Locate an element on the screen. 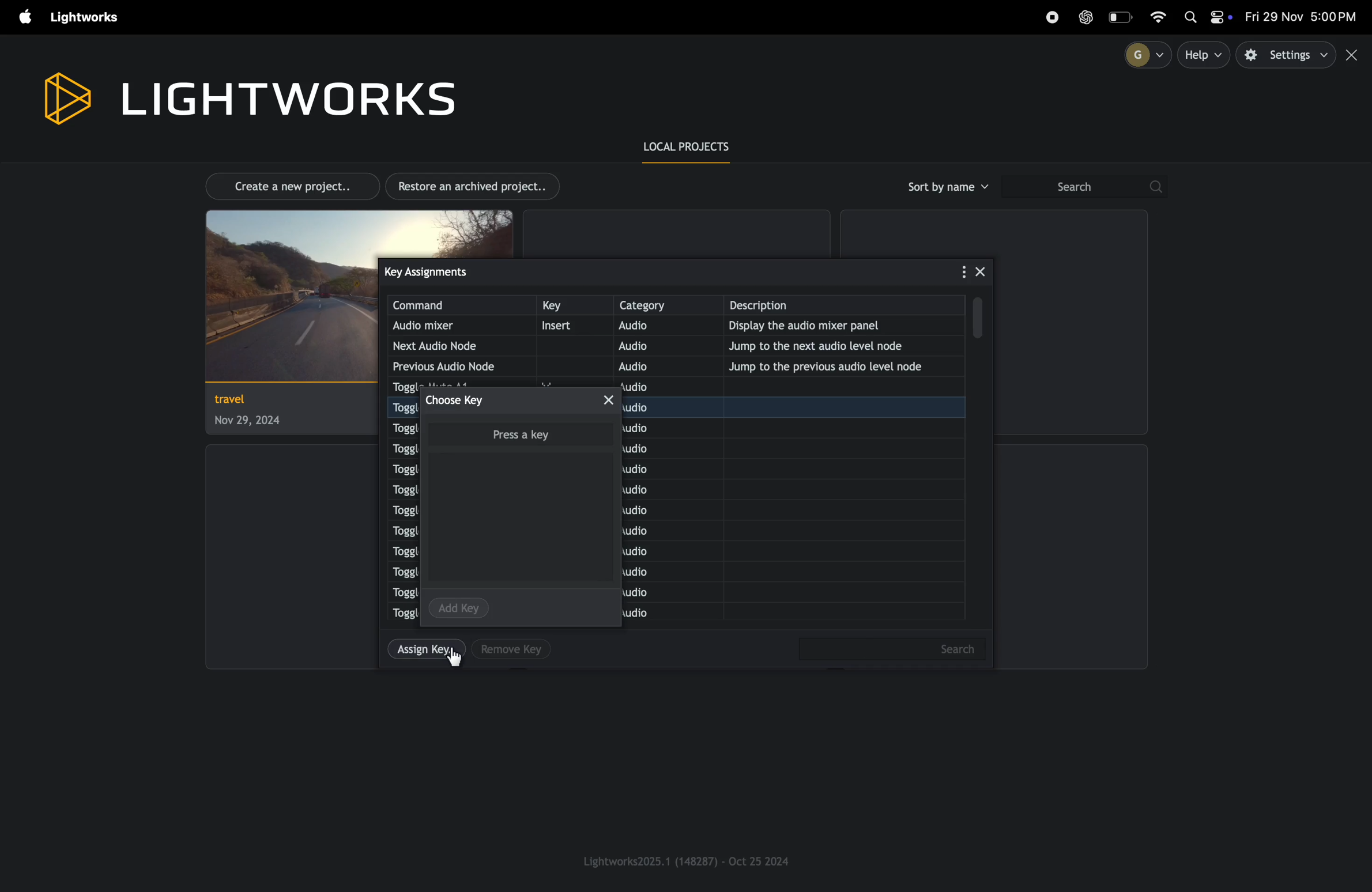 This screenshot has height=892, width=1372. description is located at coordinates (849, 305).